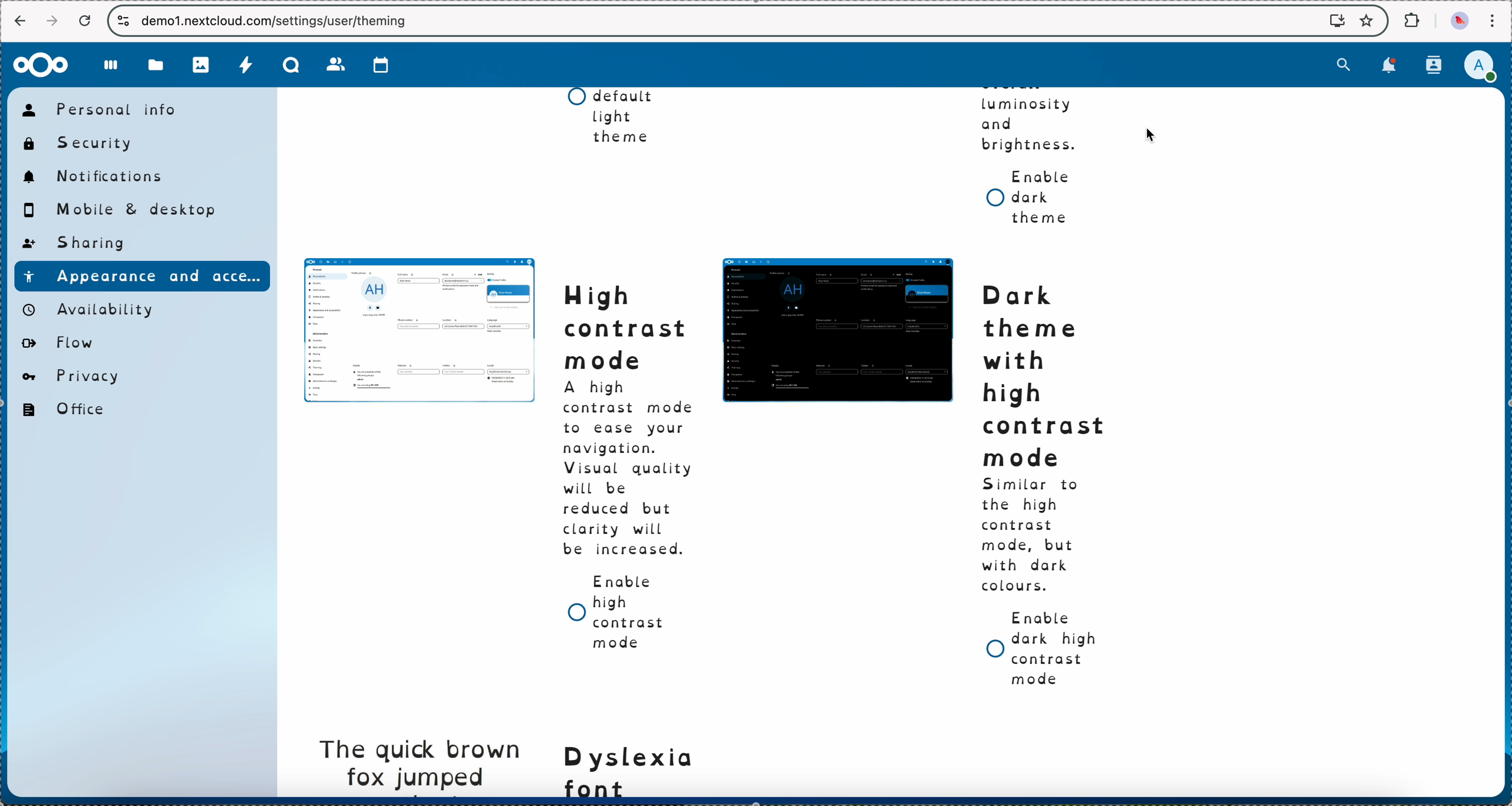 This screenshot has width=1512, height=806. Describe the element at coordinates (283, 21) in the screenshot. I see `URL` at that location.